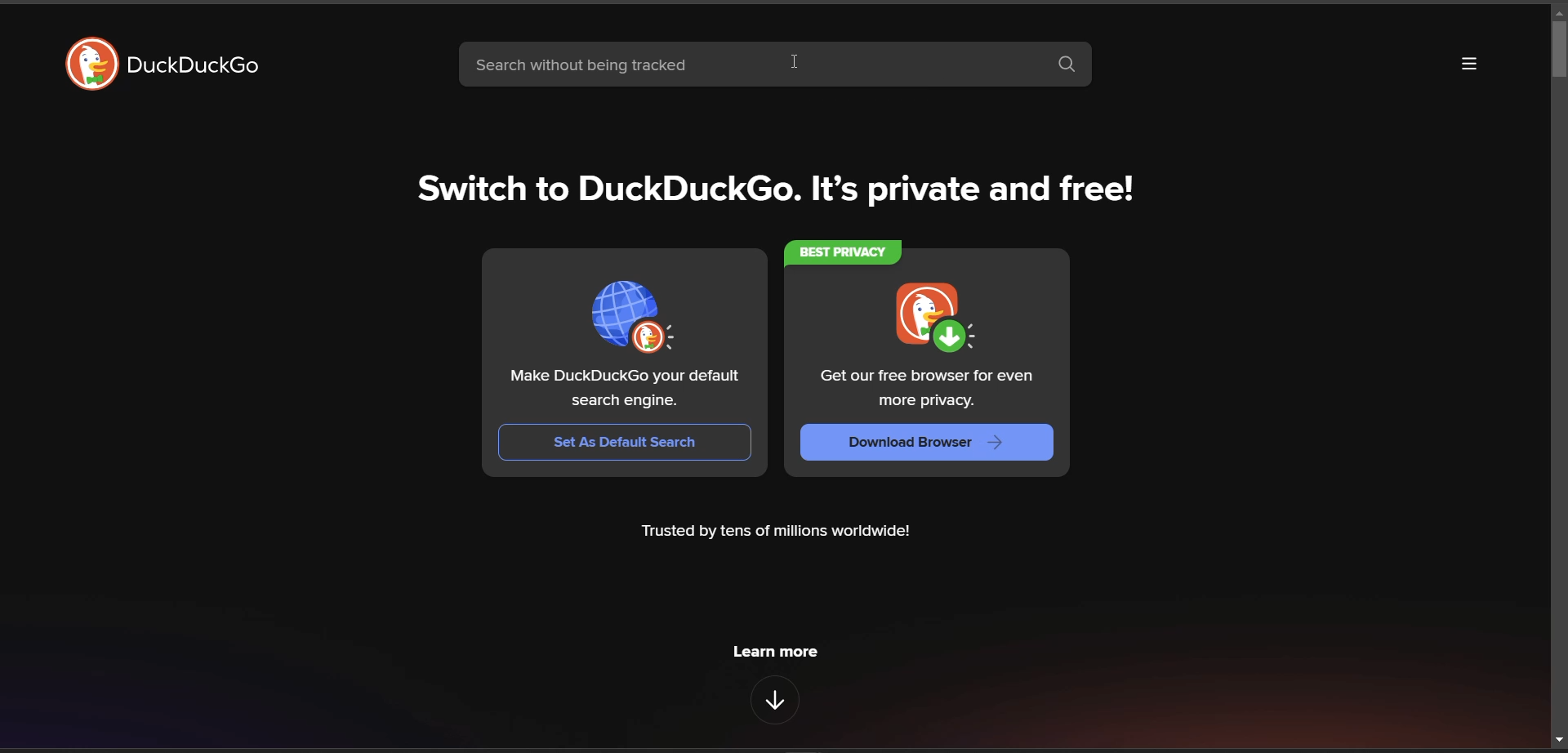  I want to click on cursor, so click(791, 62).